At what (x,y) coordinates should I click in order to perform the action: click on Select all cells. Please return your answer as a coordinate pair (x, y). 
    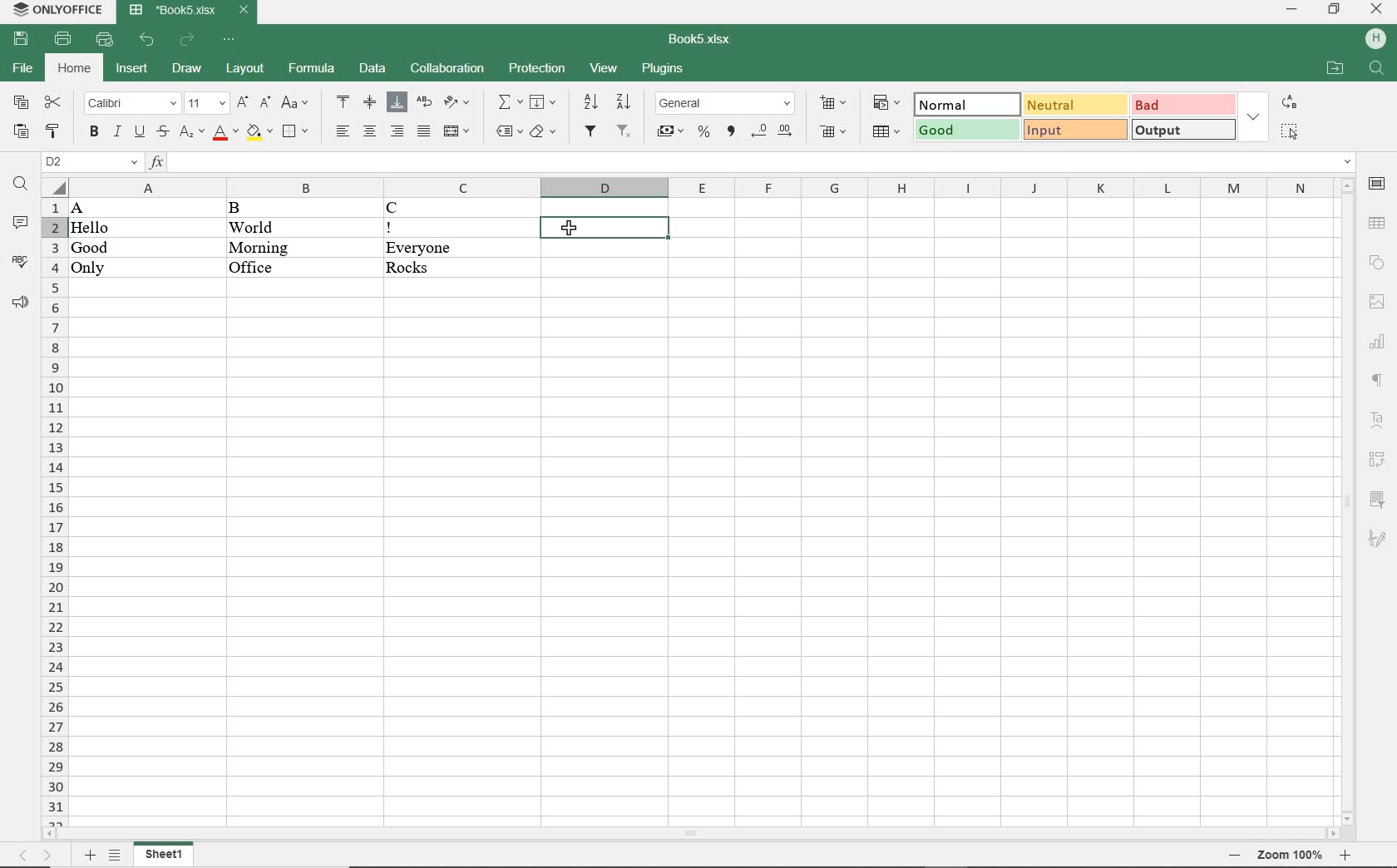
    Looking at the image, I should click on (54, 186).